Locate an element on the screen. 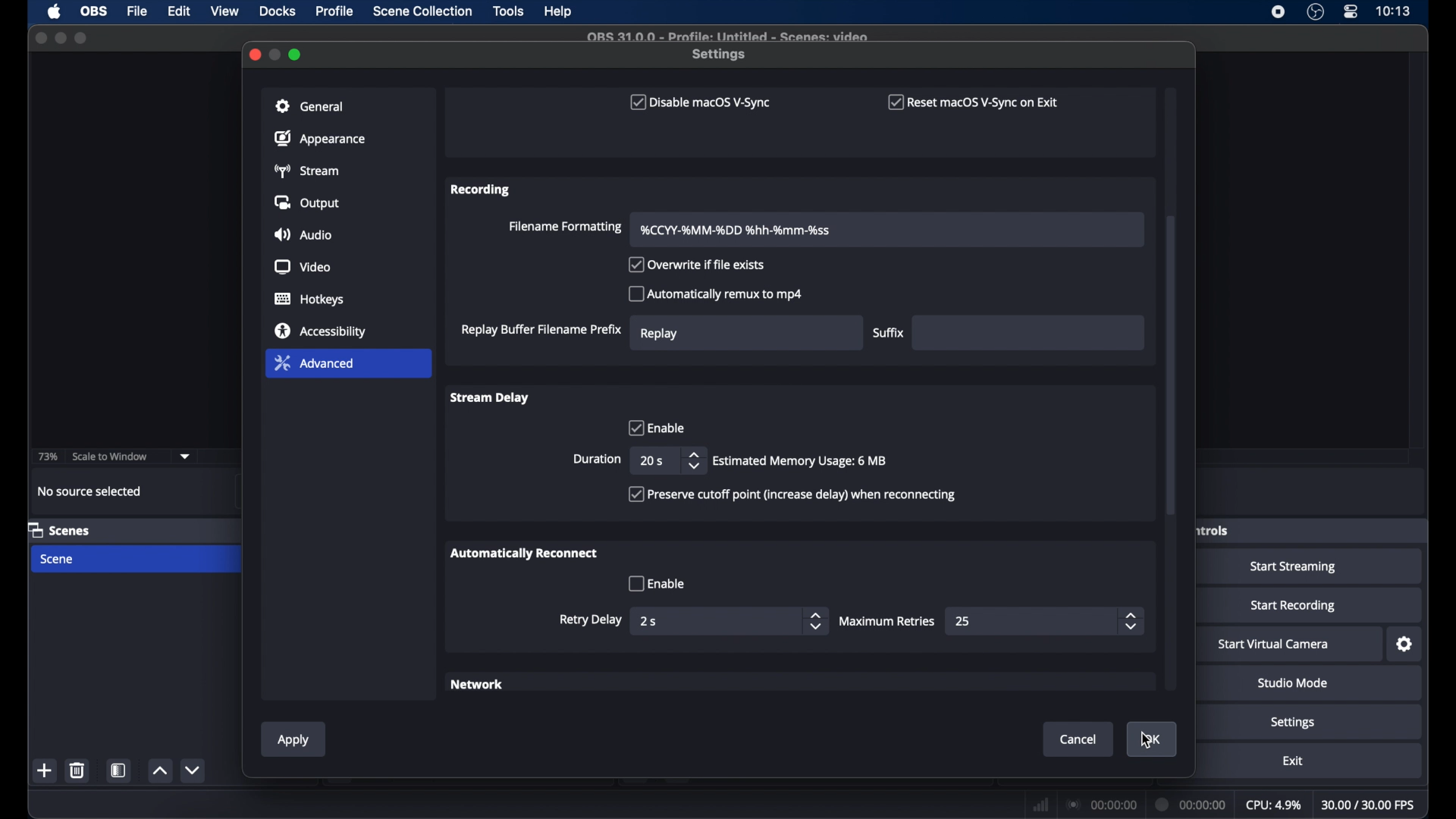 The width and height of the screenshot is (1456, 819). docks is located at coordinates (278, 11).